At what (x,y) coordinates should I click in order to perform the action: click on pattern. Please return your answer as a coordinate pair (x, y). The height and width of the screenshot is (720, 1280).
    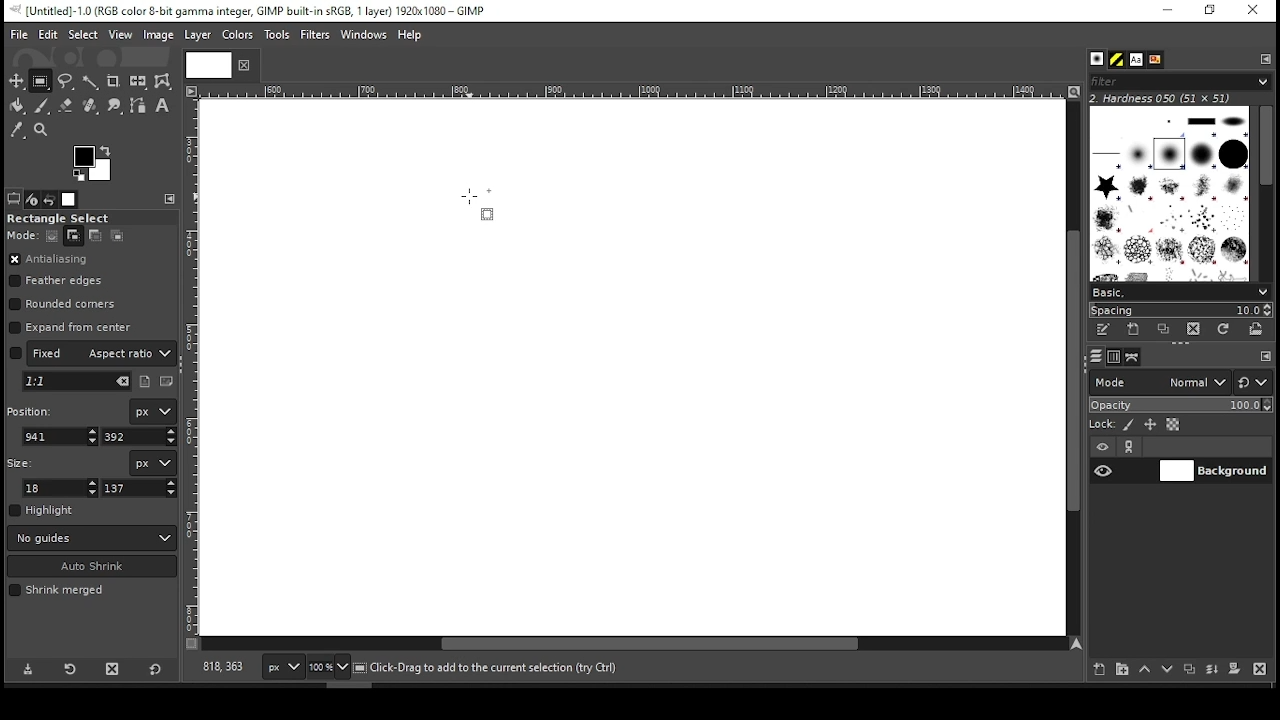
    Looking at the image, I should click on (1117, 60).